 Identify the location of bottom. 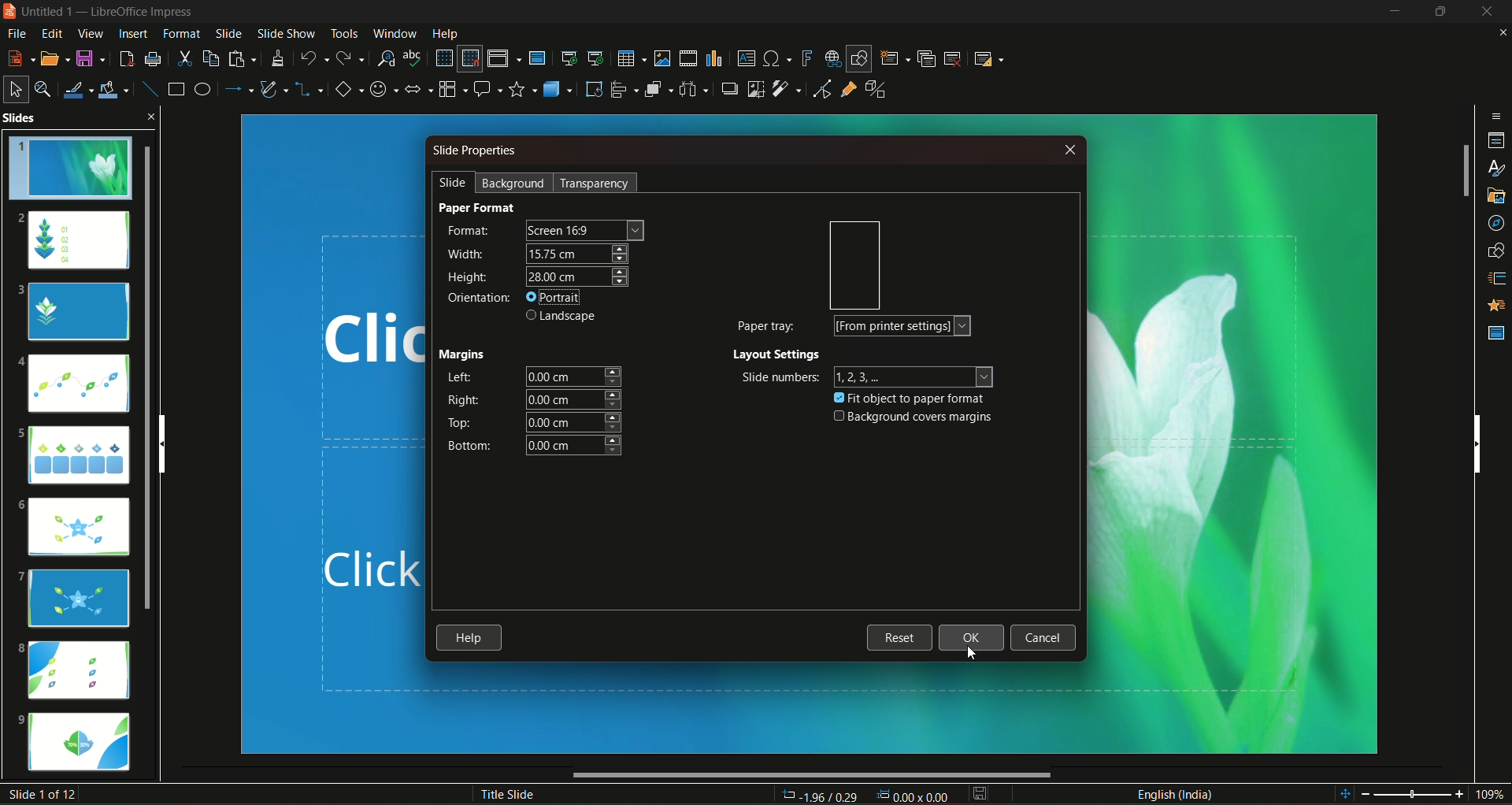
(467, 446).